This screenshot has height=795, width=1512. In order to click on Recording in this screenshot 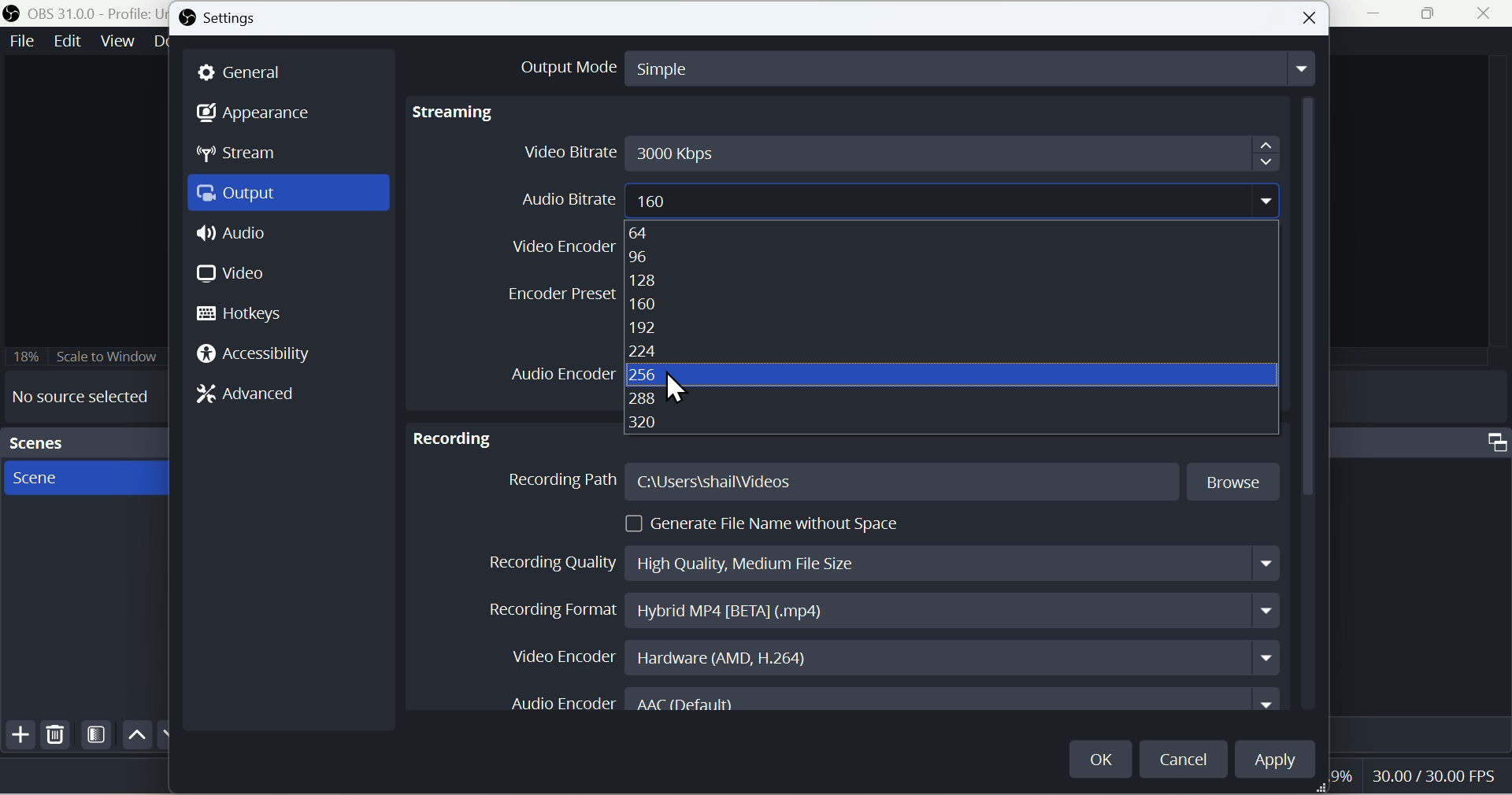, I will do `click(453, 434)`.